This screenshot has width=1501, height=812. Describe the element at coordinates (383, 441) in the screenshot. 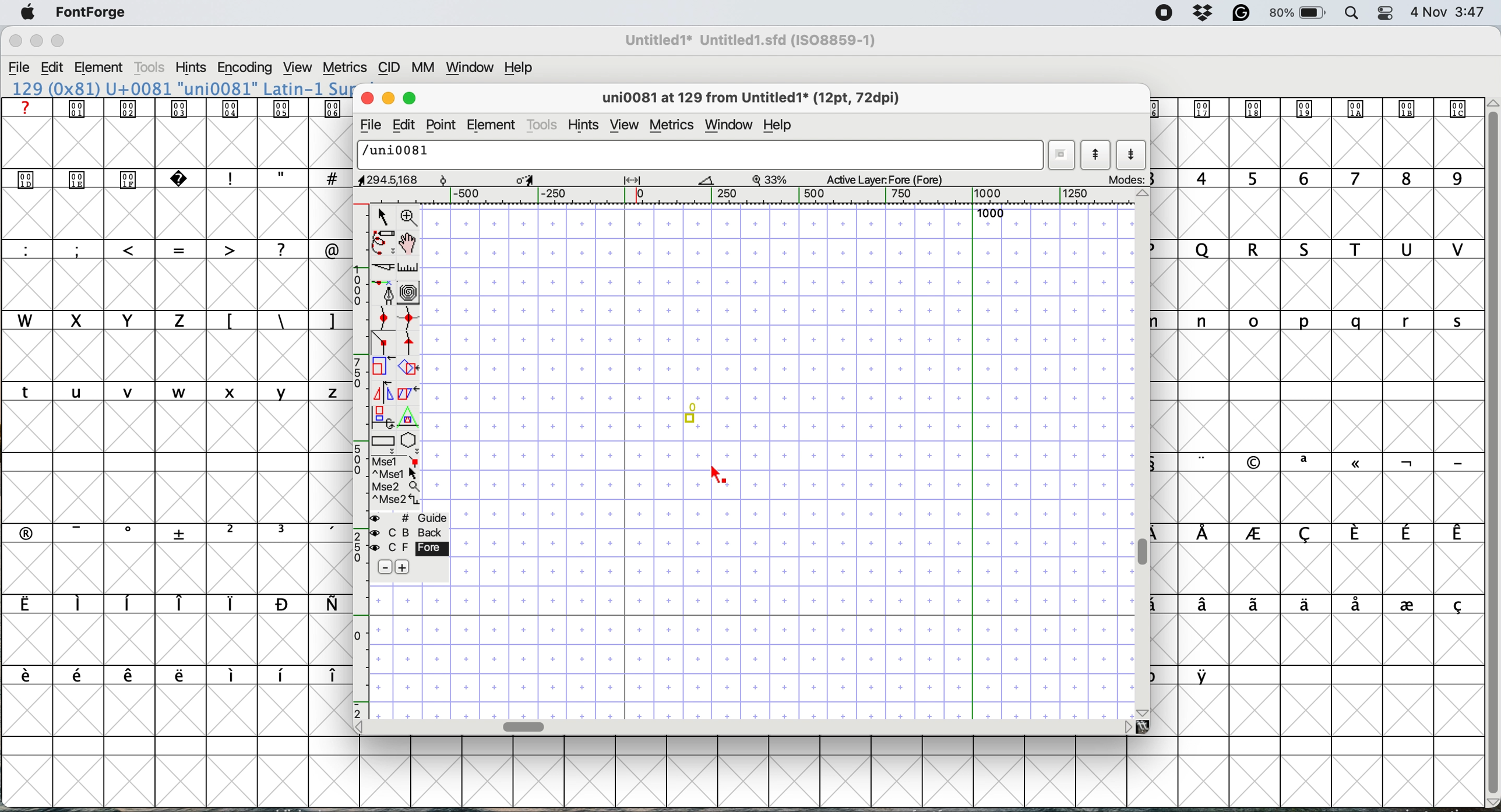

I see `rectangles and ellipses` at that location.